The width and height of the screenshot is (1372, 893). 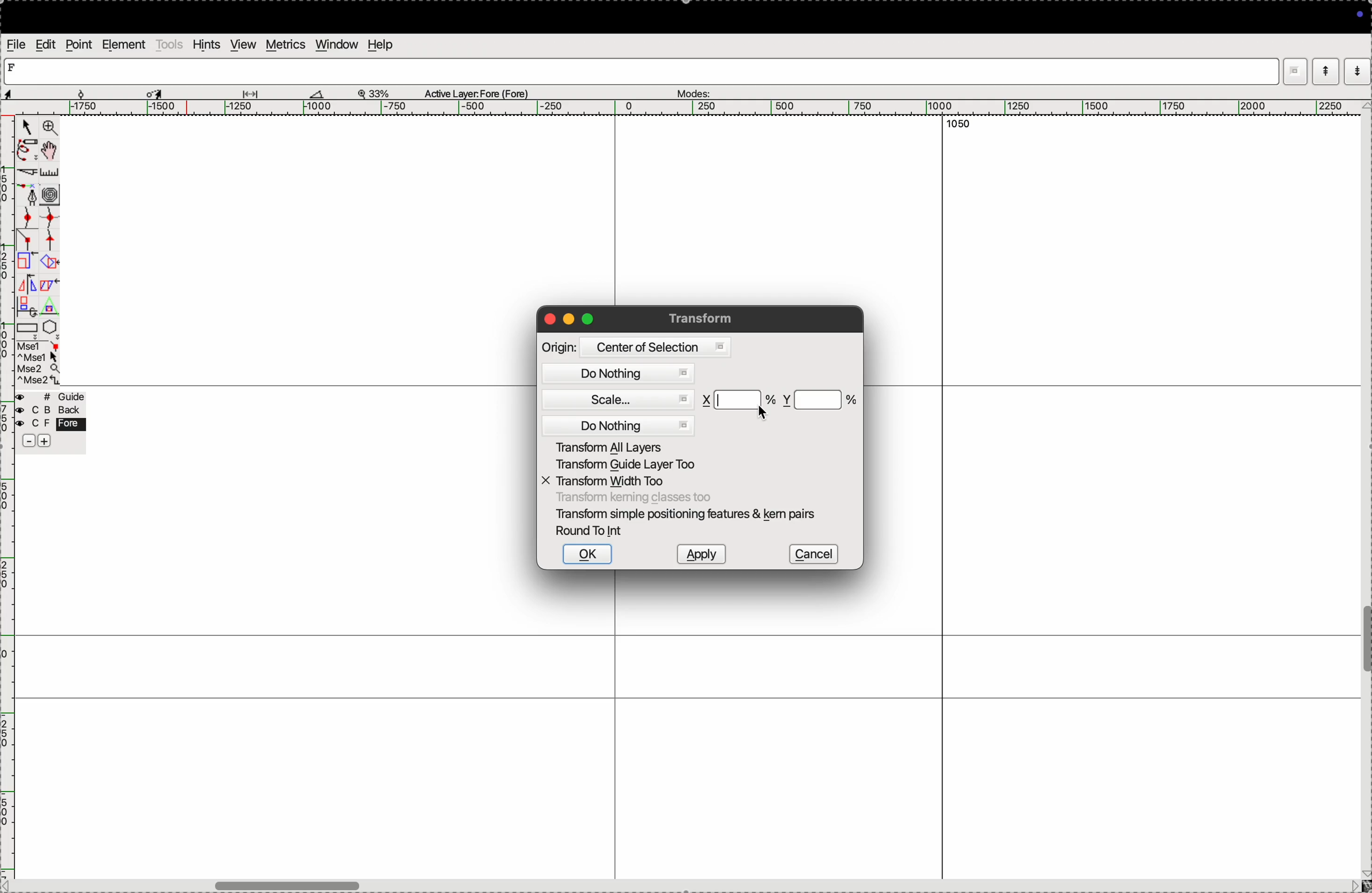 What do you see at coordinates (624, 446) in the screenshot?
I see `transform all yares` at bounding box center [624, 446].